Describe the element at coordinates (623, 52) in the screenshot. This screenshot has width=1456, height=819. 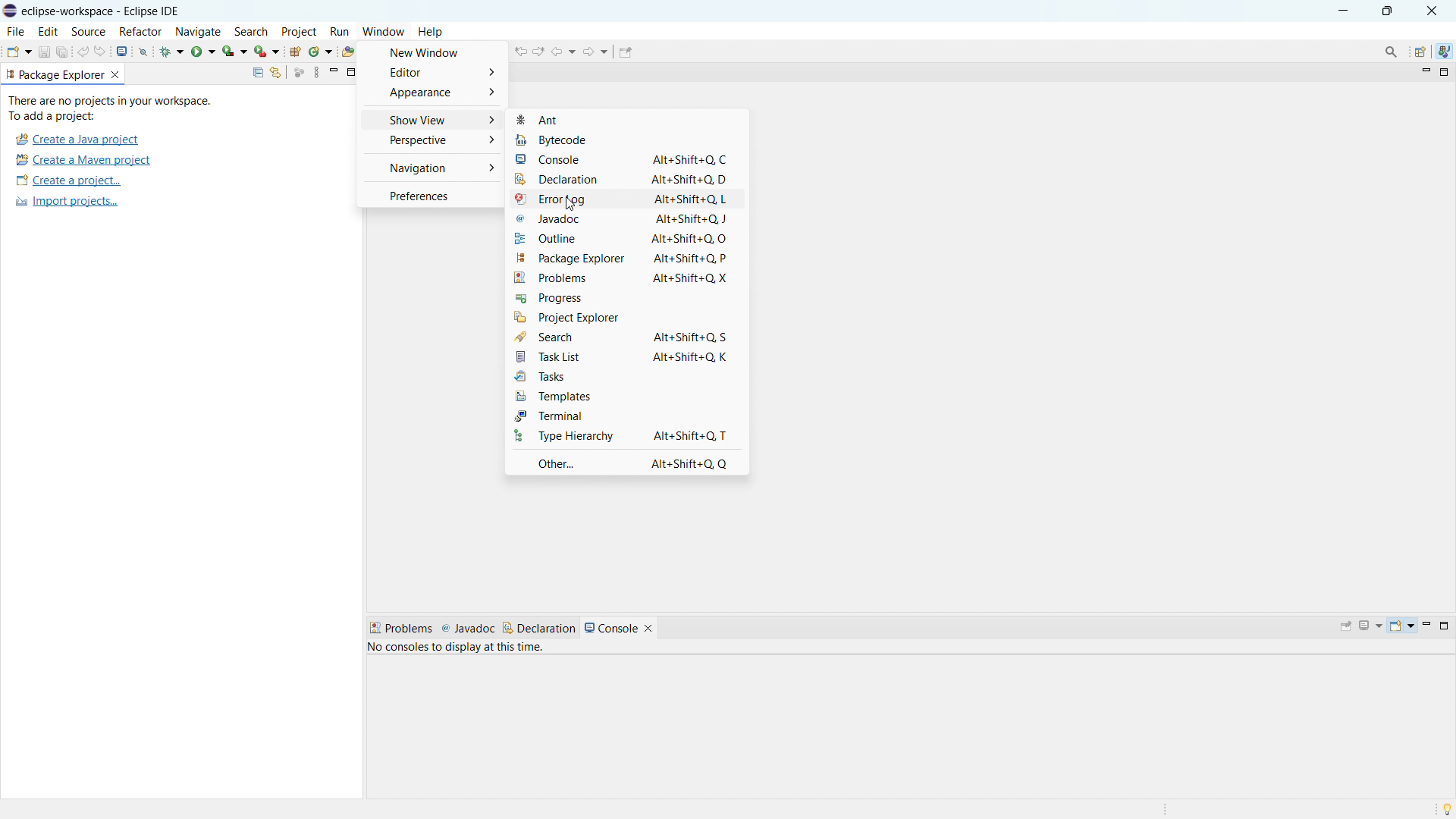
I see `pin editor` at that location.